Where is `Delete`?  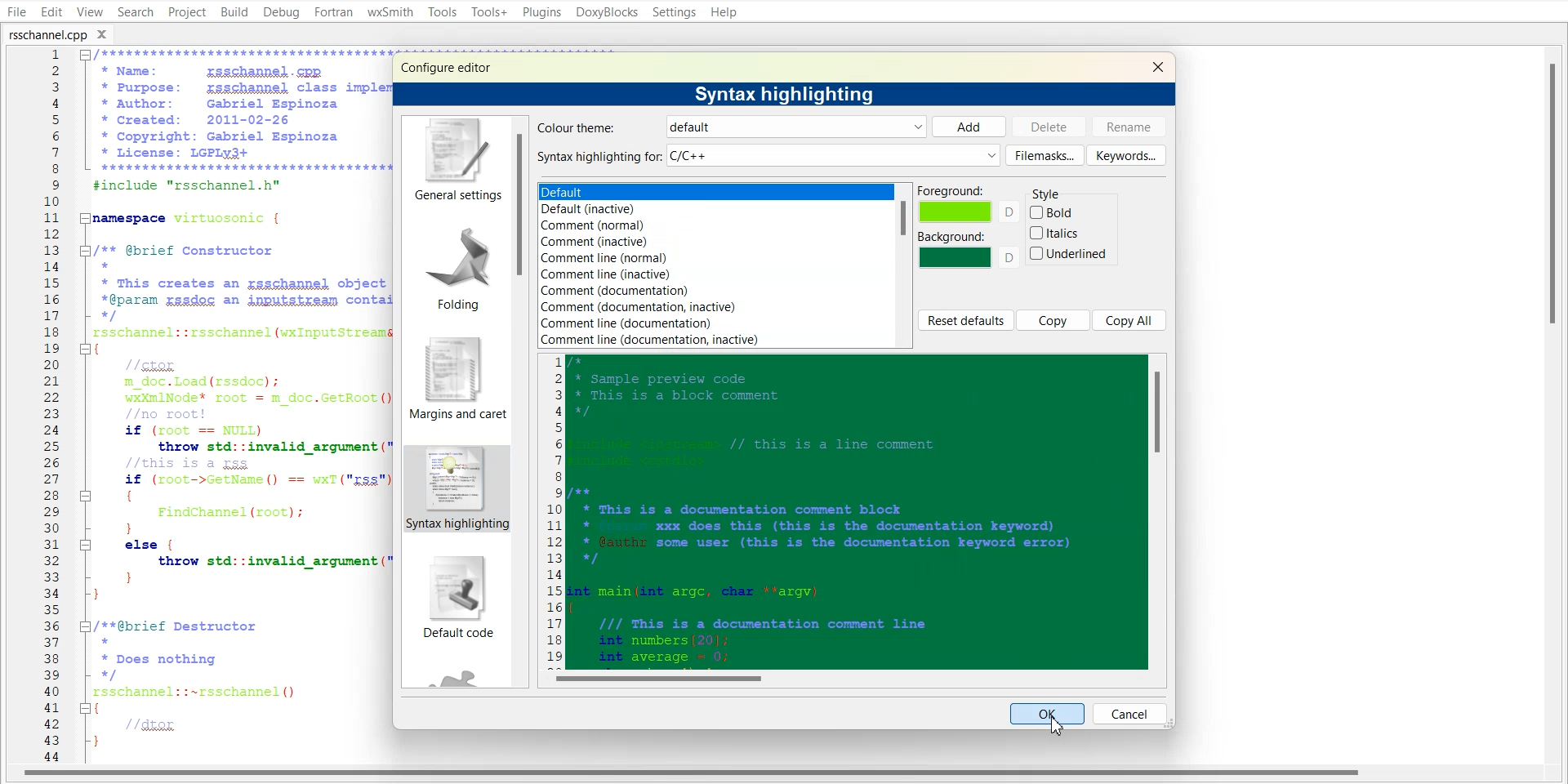 Delete is located at coordinates (1049, 126).